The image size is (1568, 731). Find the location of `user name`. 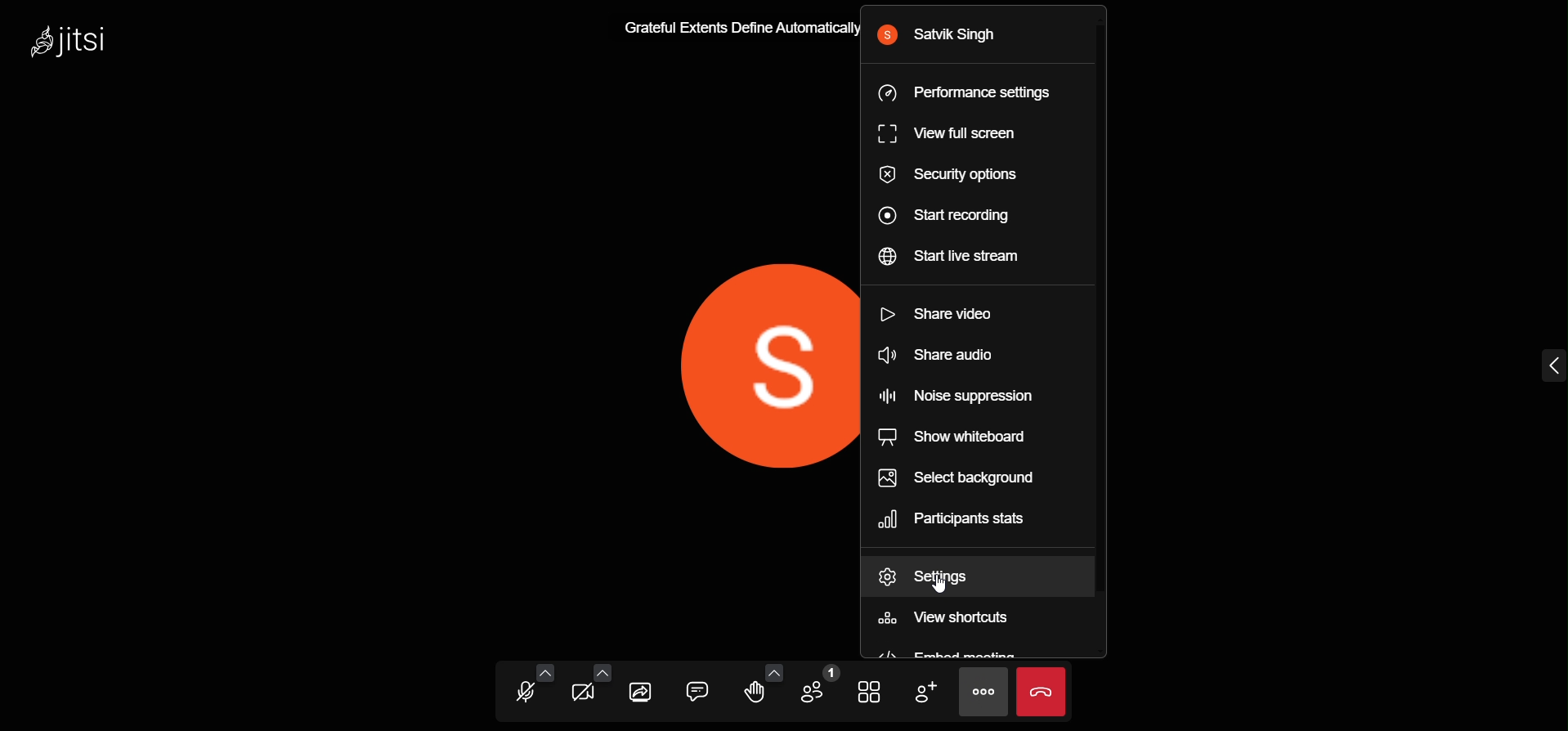

user name is located at coordinates (937, 35).